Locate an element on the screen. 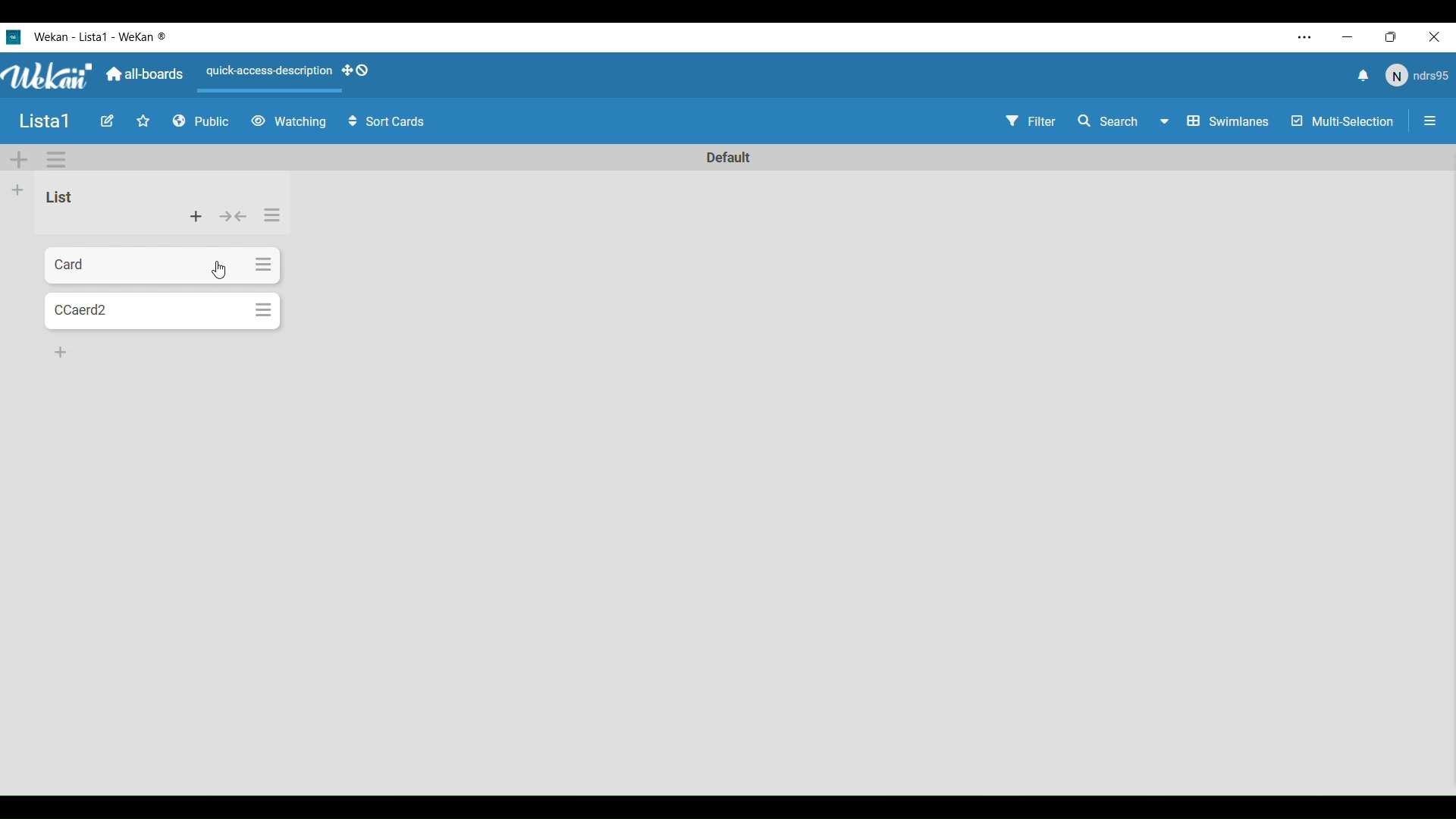  Card actions is located at coordinates (265, 311).